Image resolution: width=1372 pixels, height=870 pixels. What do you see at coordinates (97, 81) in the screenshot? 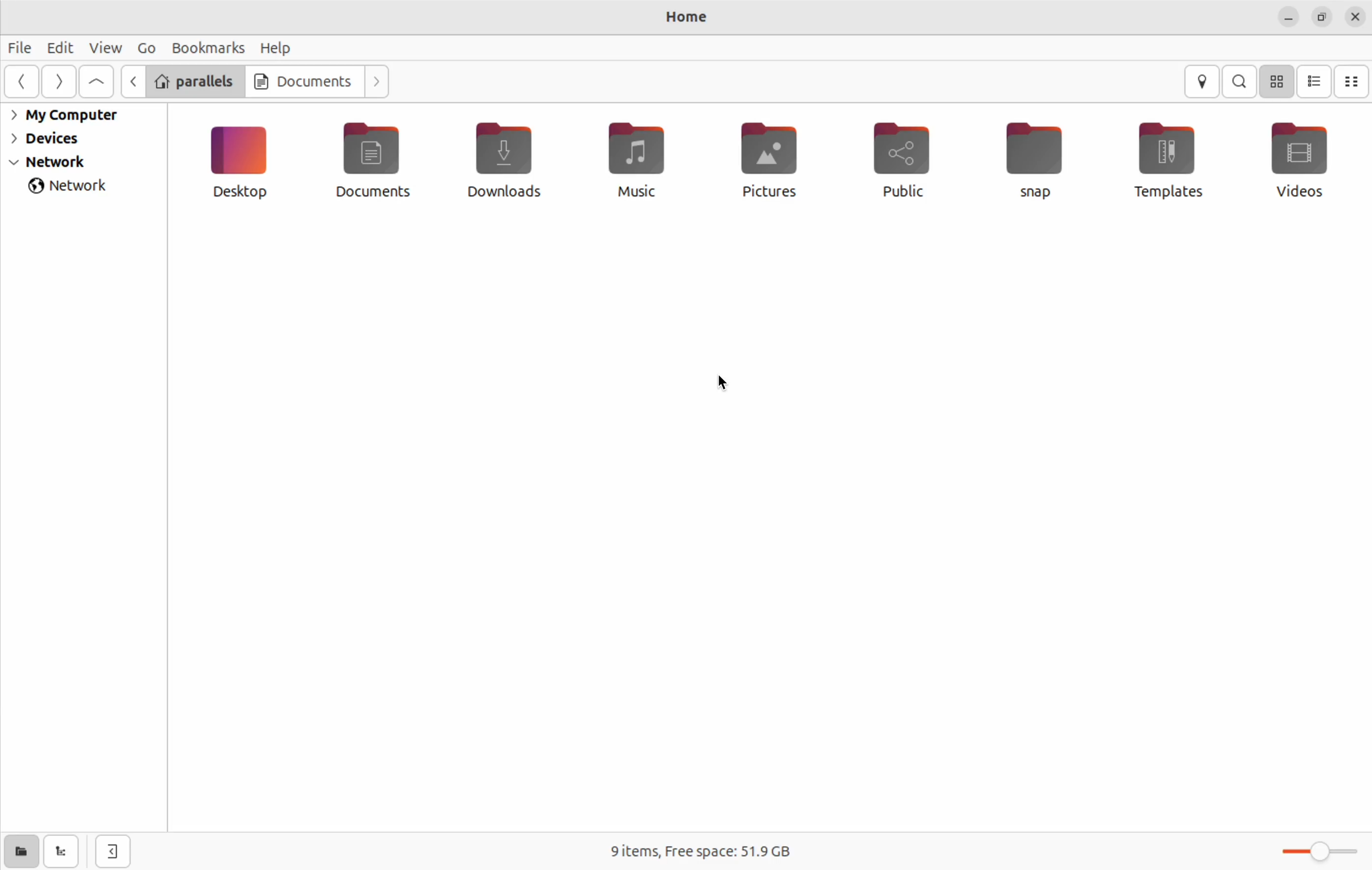
I see `Go to parent folder` at bounding box center [97, 81].